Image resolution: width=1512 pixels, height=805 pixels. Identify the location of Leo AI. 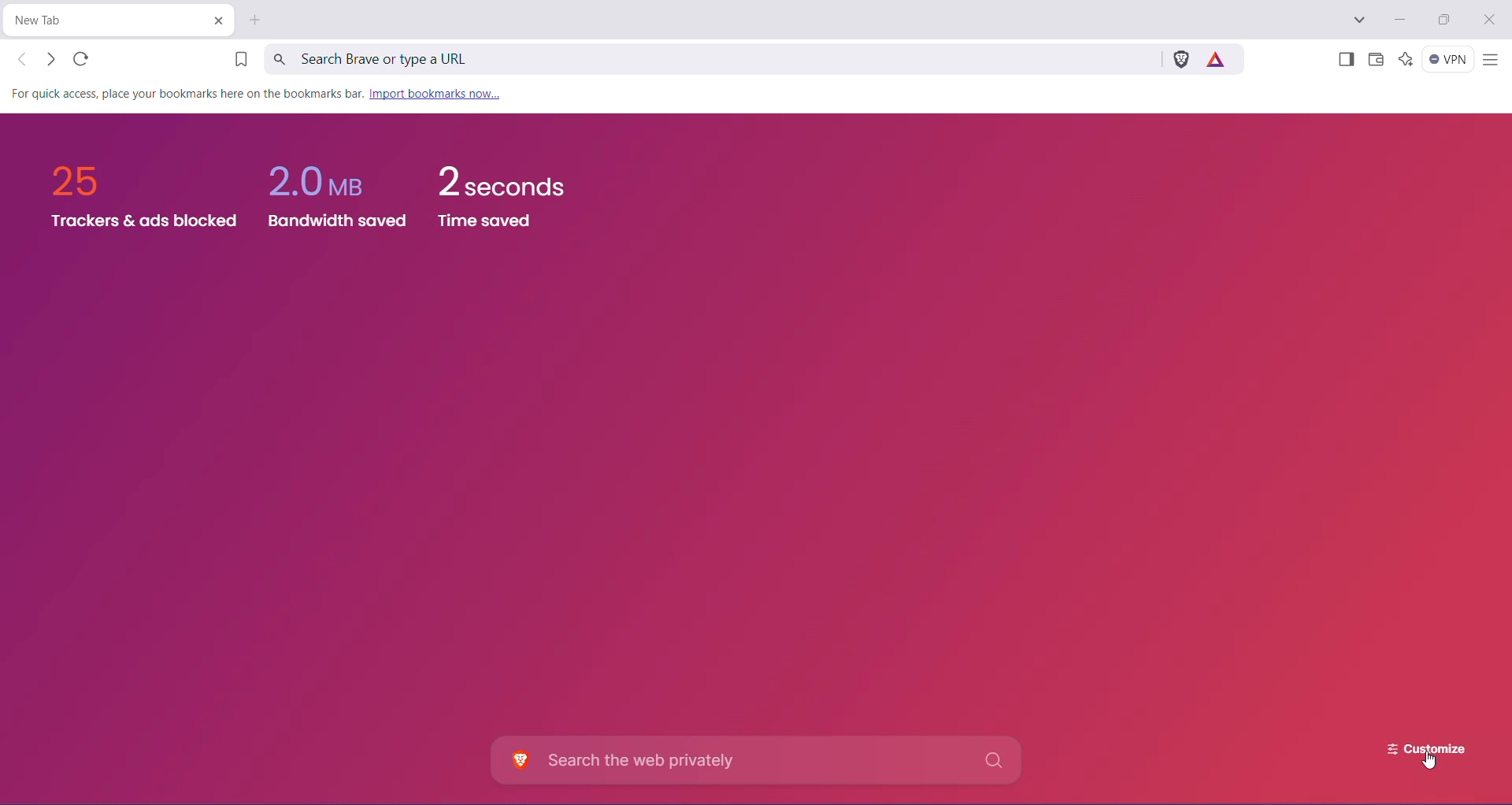
(1405, 59).